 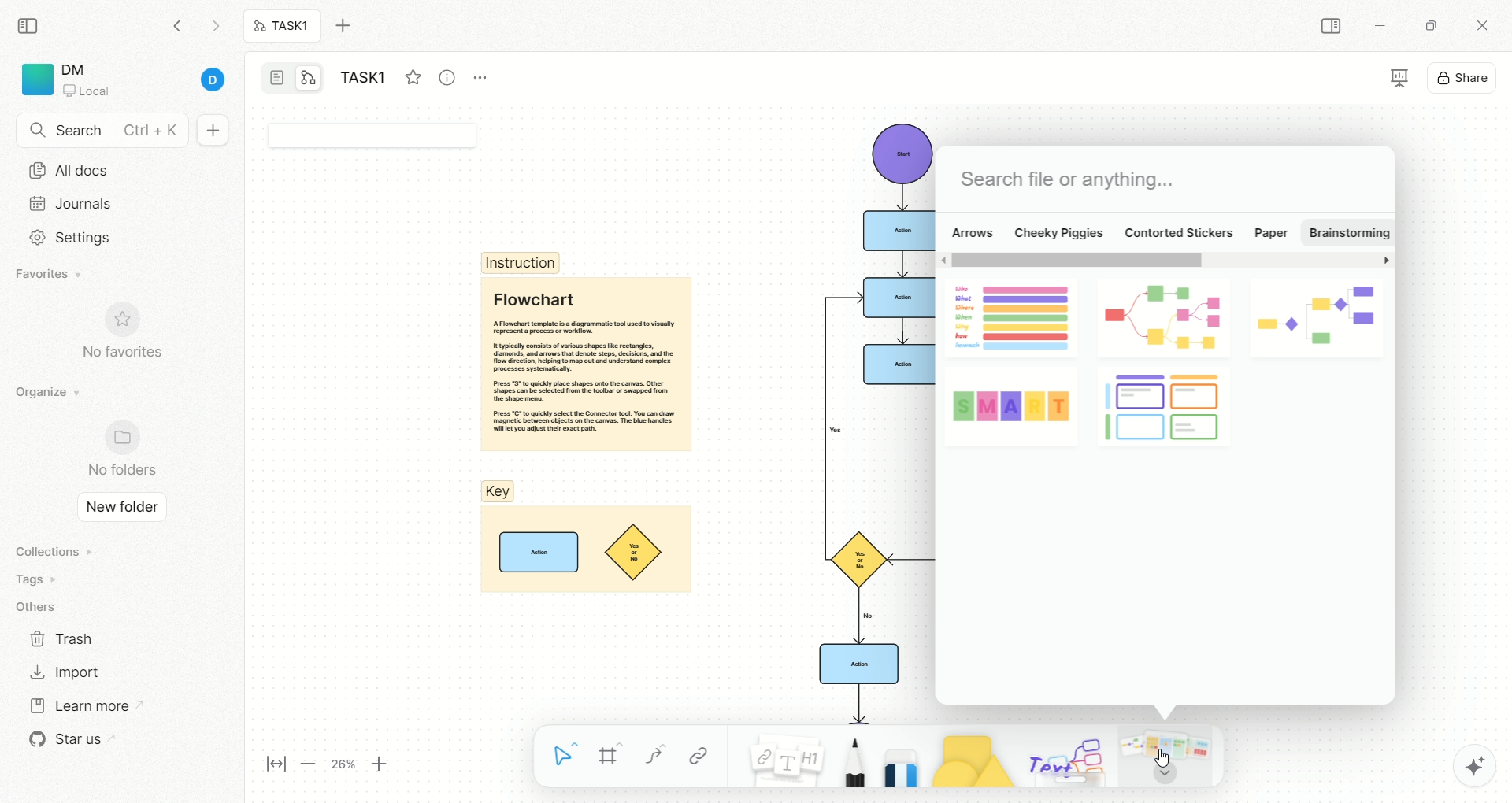 I want to click on AFFiNE AI, so click(x=1458, y=762).